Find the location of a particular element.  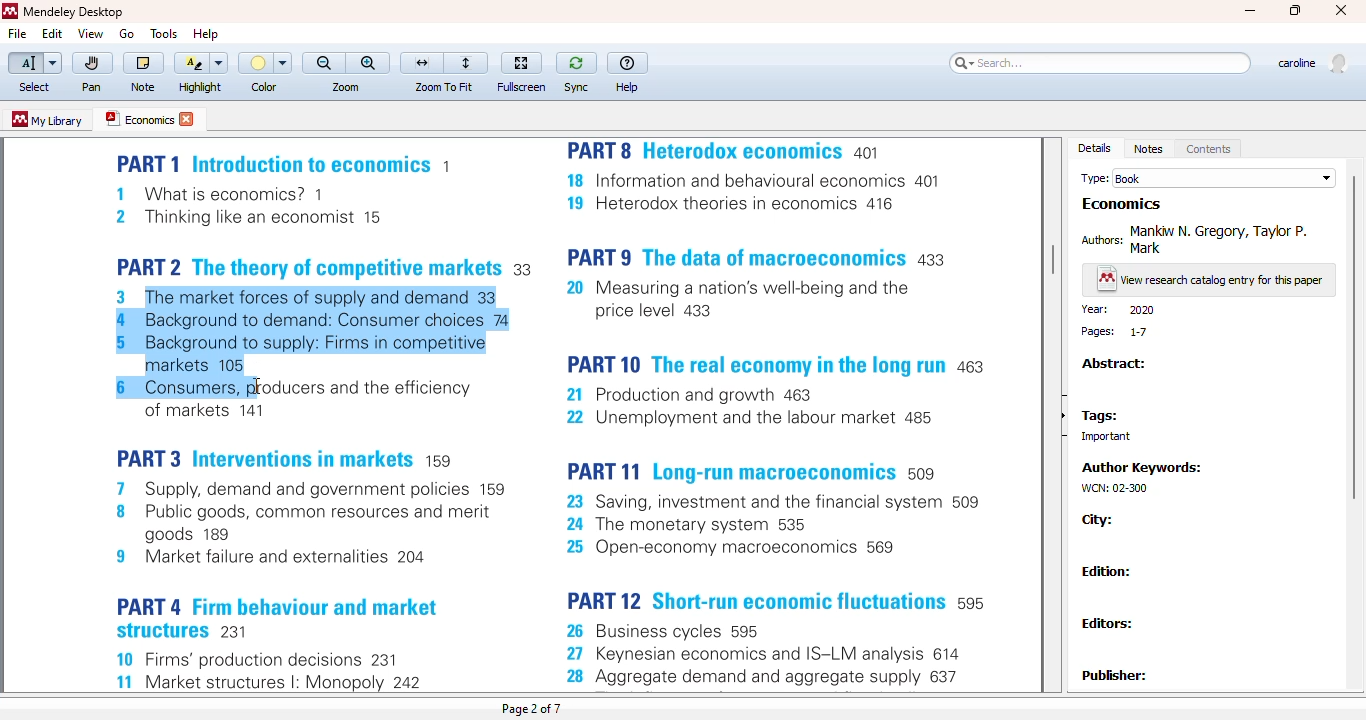

vertical scroll bar is located at coordinates (1351, 337).